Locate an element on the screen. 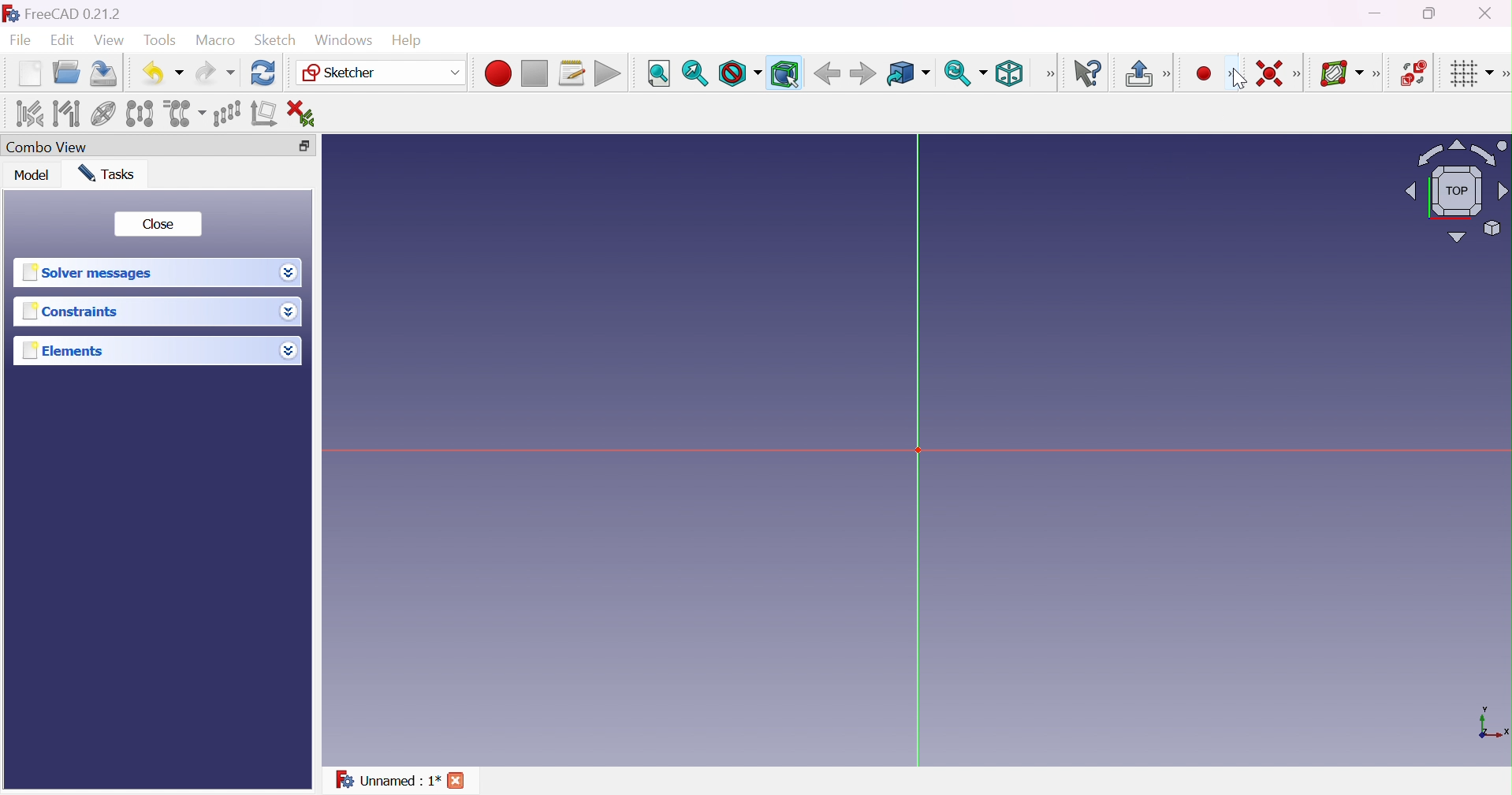 This screenshot has width=1512, height=795. New is located at coordinates (29, 76).